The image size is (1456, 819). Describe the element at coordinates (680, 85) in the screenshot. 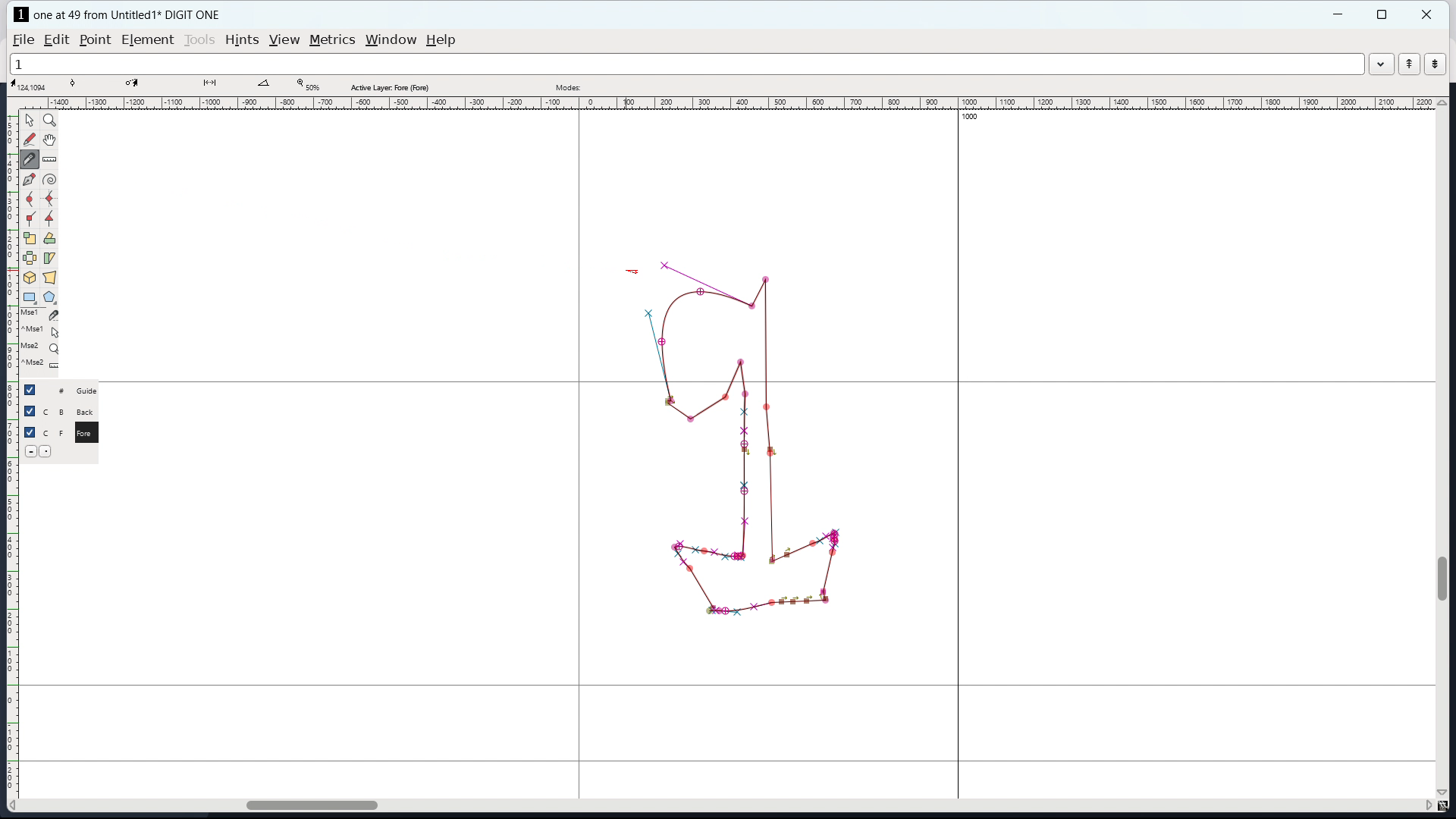

I see `active layer: Fore (Fore)` at that location.